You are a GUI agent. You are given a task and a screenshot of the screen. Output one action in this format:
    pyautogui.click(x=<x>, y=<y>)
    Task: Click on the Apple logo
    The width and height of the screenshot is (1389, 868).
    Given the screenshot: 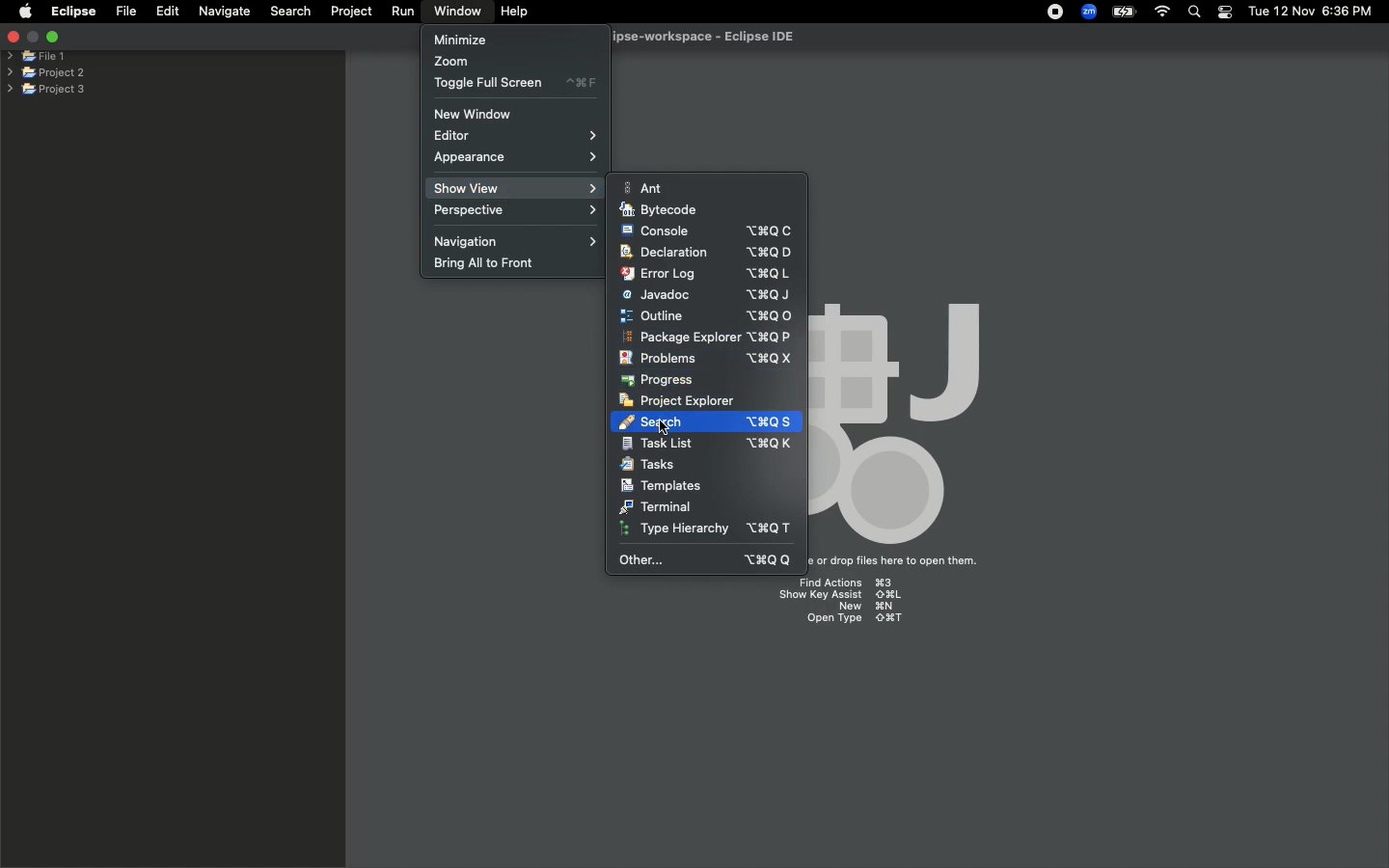 What is the action you would take?
    pyautogui.click(x=25, y=11)
    